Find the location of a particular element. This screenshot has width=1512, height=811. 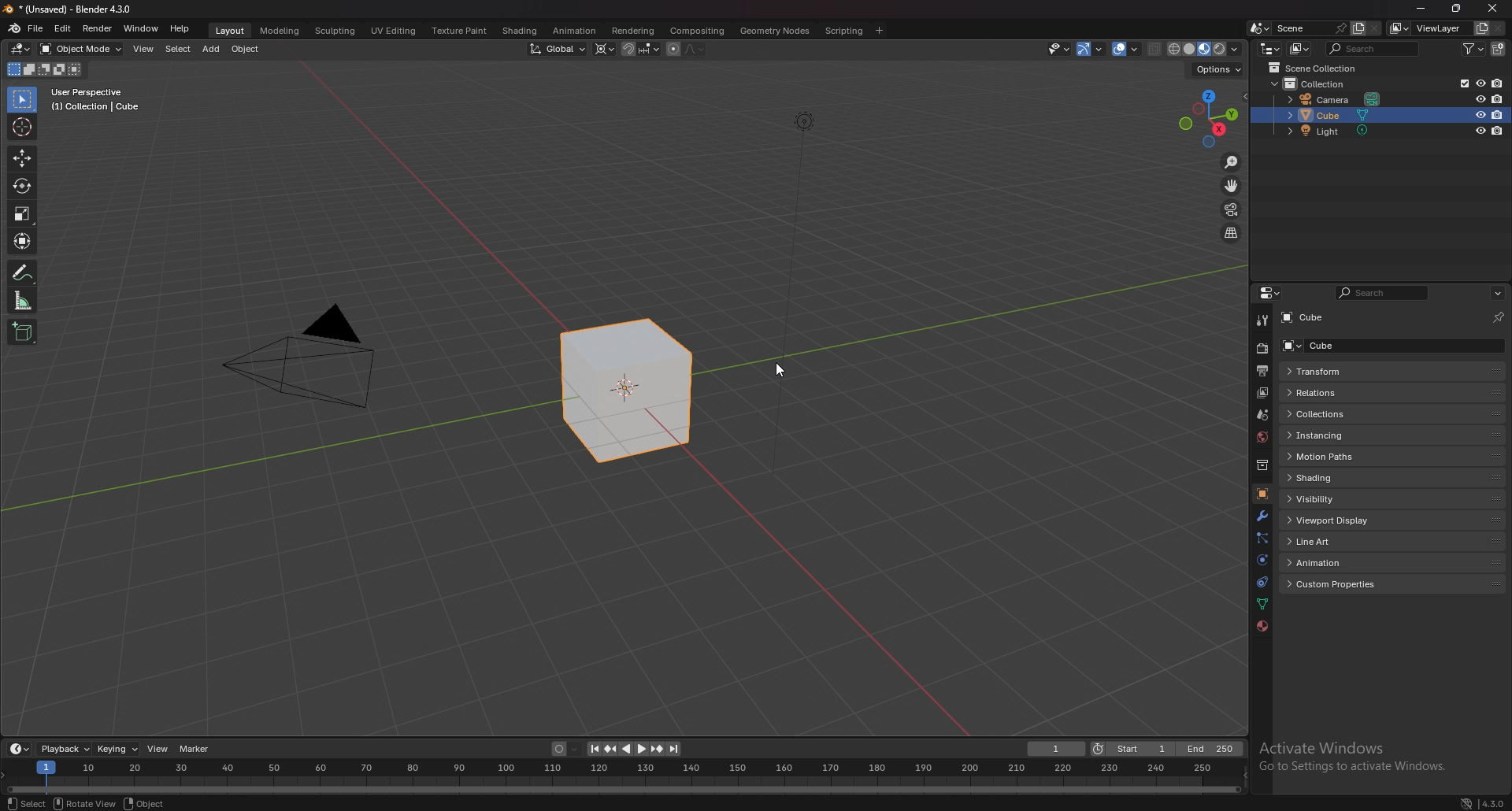

current frame is located at coordinates (1057, 748).